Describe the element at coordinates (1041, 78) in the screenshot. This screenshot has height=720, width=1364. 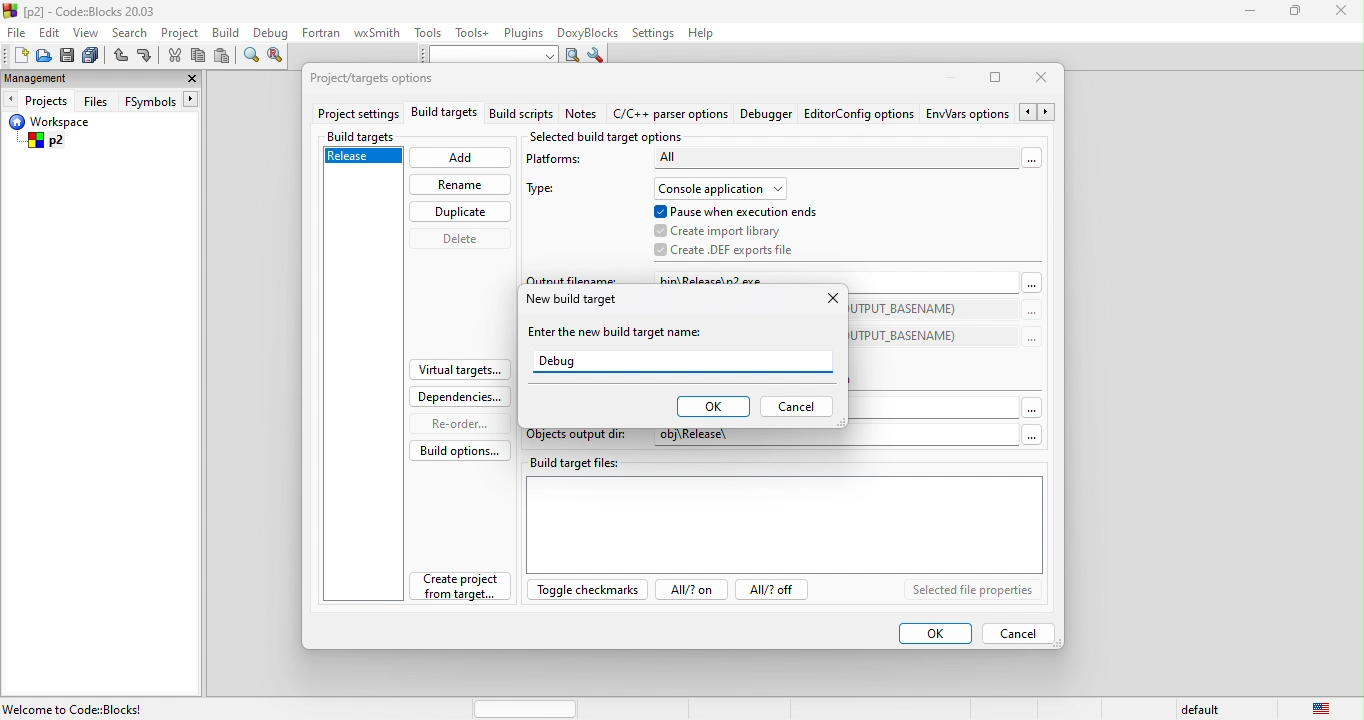
I see `close` at that location.